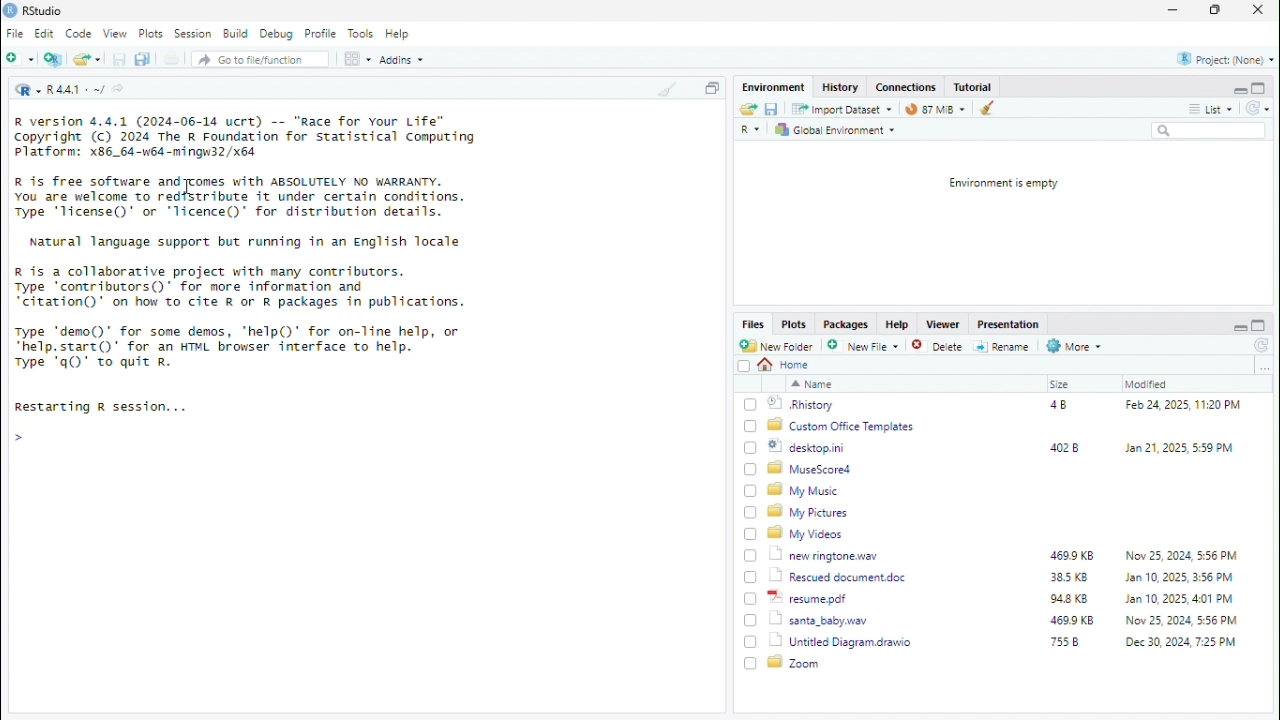  What do you see at coordinates (751, 448) in the screenshot?
I see `Checkbox` at bounding box center [751, 448].